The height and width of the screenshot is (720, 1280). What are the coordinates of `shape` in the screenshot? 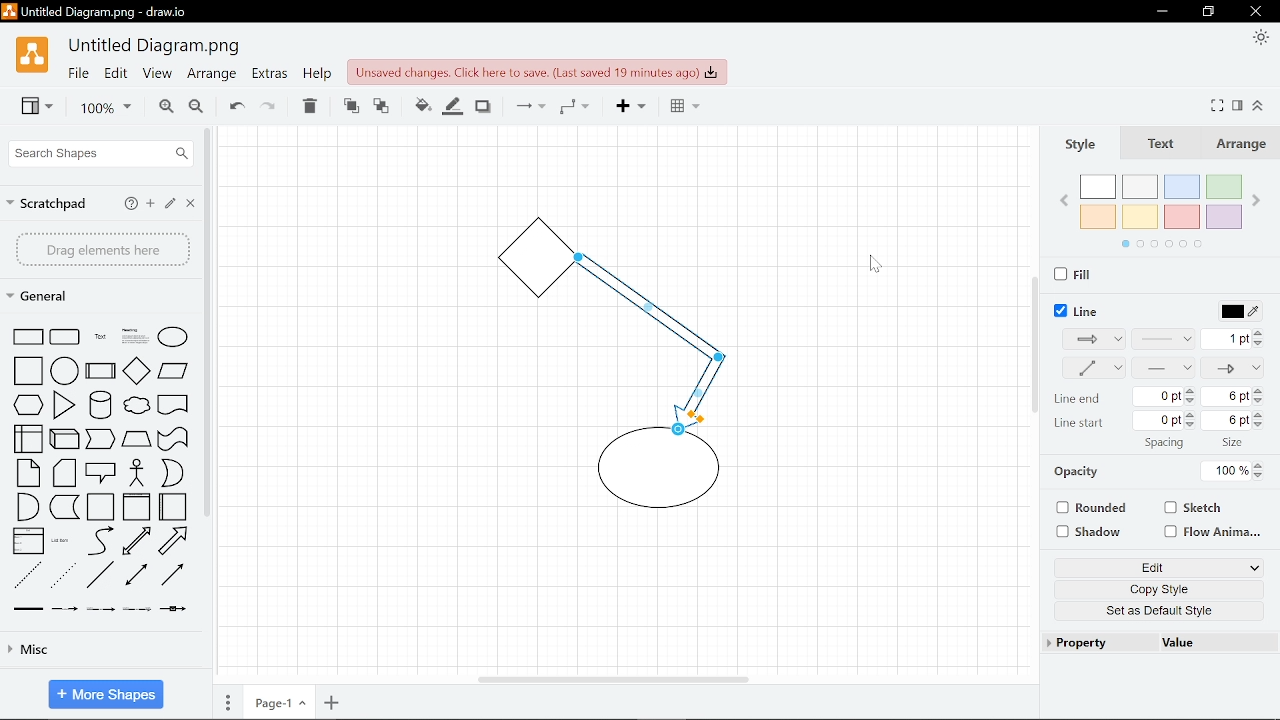 It's located at (67, 610).